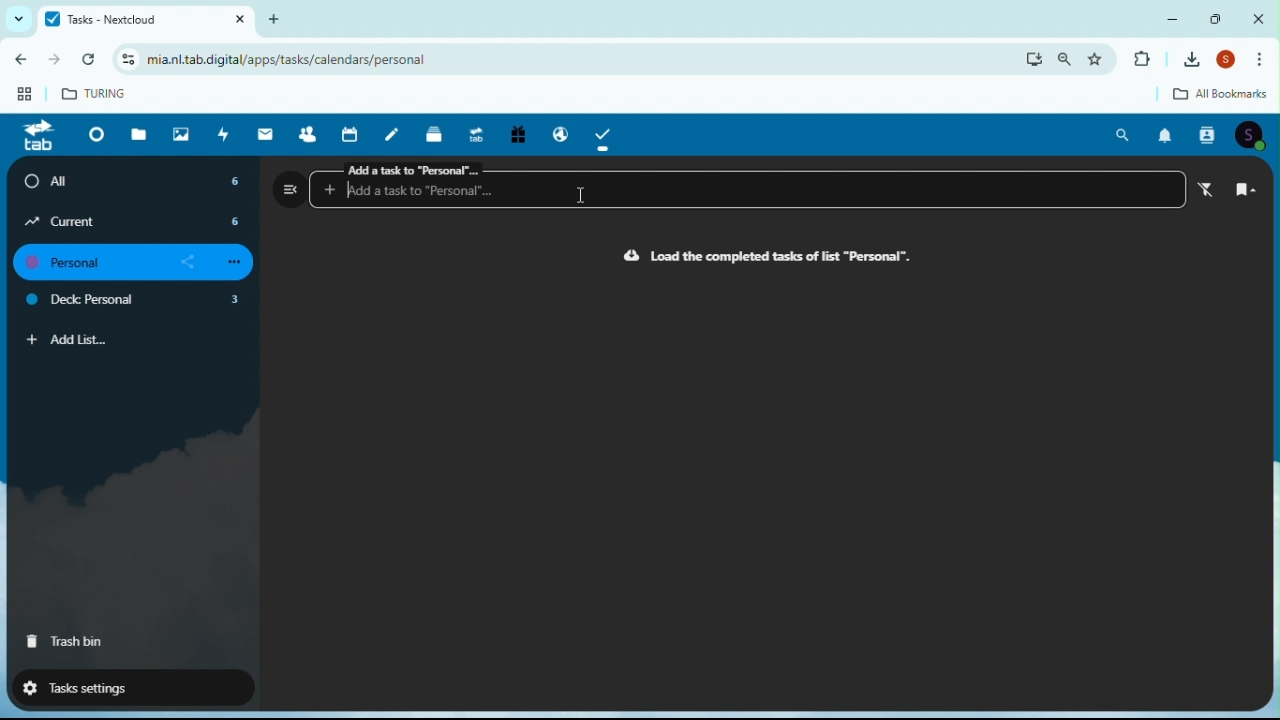  I want to click on Restore, so click(1218, 18).